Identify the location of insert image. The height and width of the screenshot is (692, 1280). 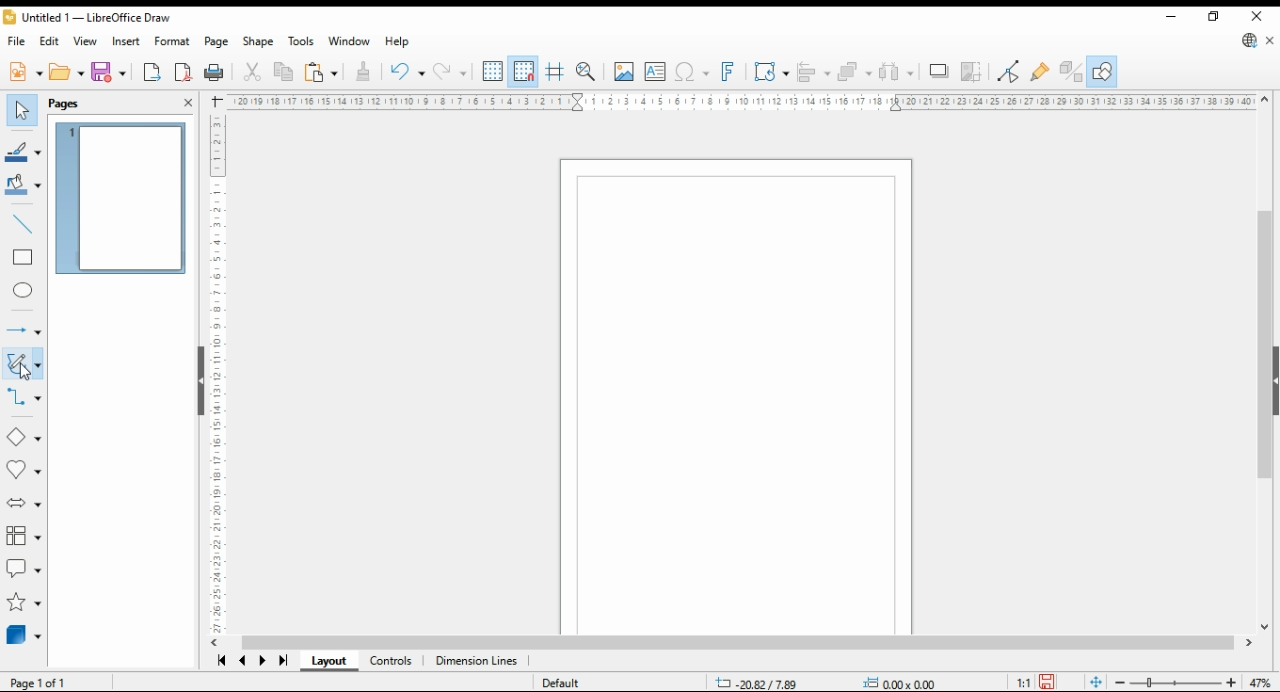
(624, 71).